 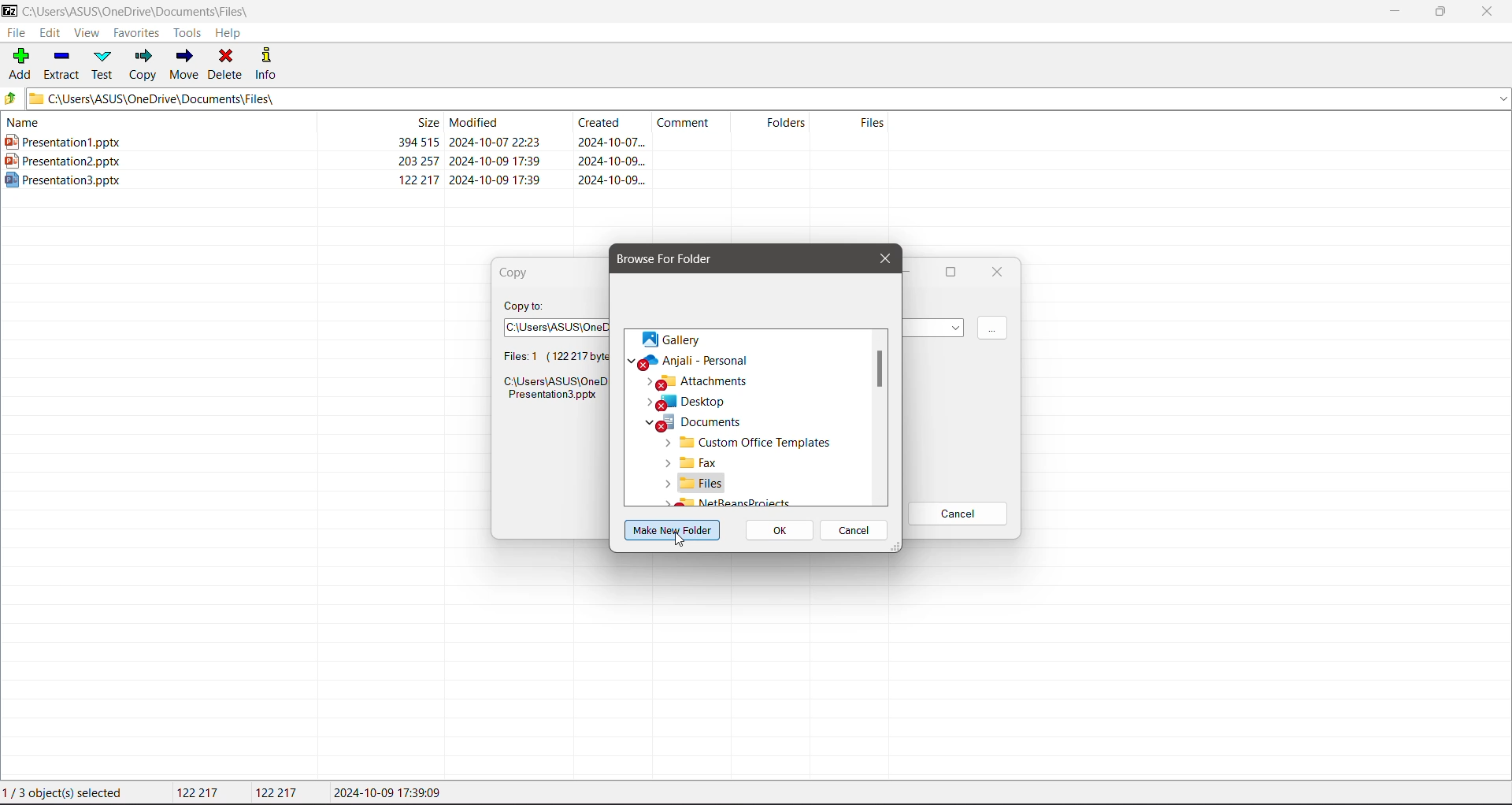 What do you see at coordinates (325, 161) in the screenshot?
I see `Presetation2` at bounding box center [325, 161].